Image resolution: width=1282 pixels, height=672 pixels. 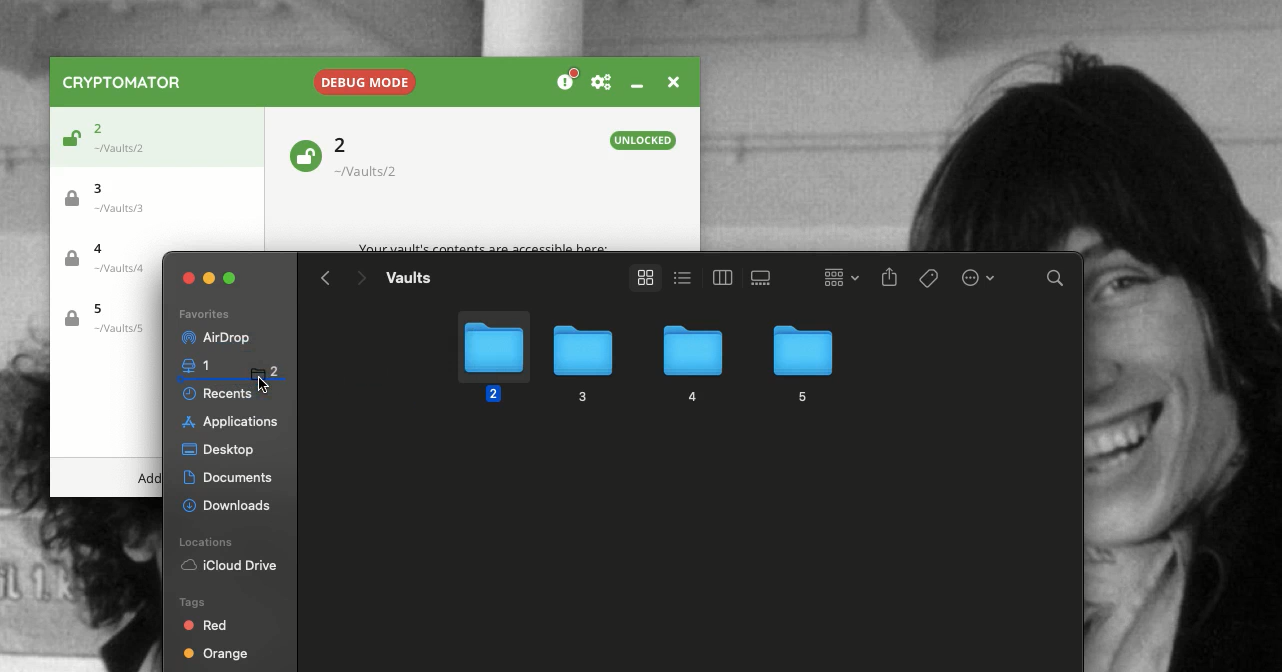 I want to click on Orange, so click(x=216, y=656).